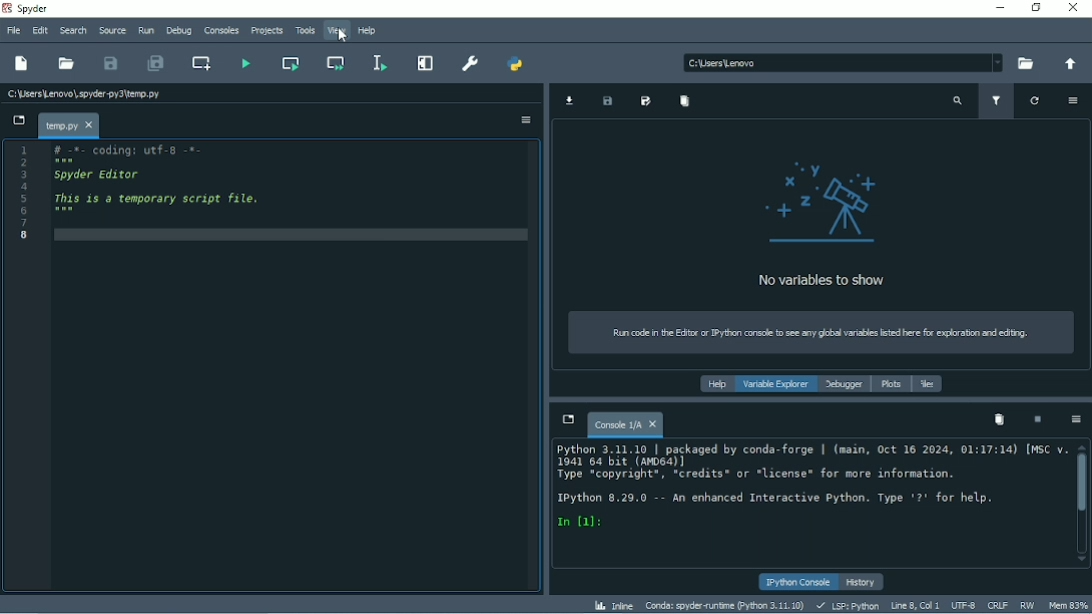 The image size is (1092, 614). What do you see at coordinates (158, 198) in the screenshot?
I see `This is a temporary script file.` at bounding box center [158, 198].